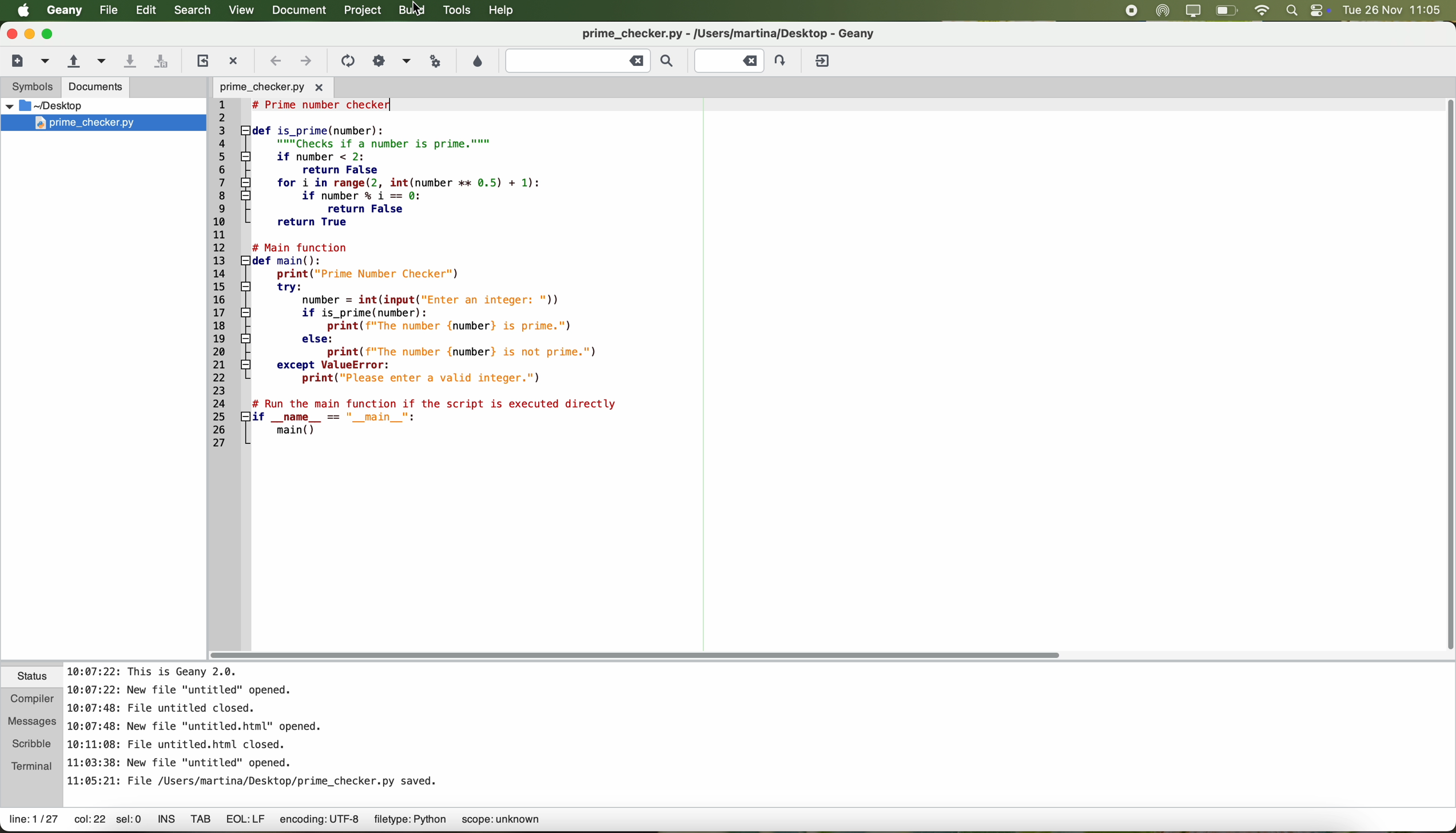  I want to click on controls, so click(1319, 10).